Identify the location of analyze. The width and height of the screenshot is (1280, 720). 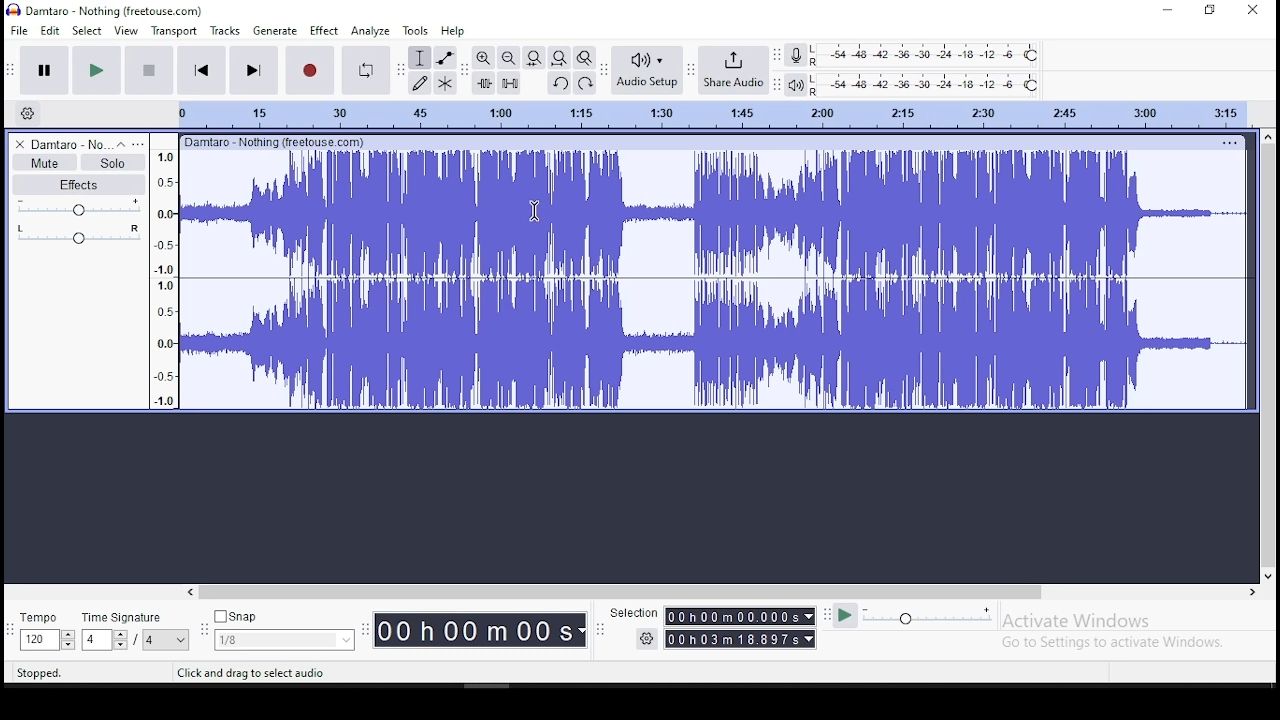
(370, 31).